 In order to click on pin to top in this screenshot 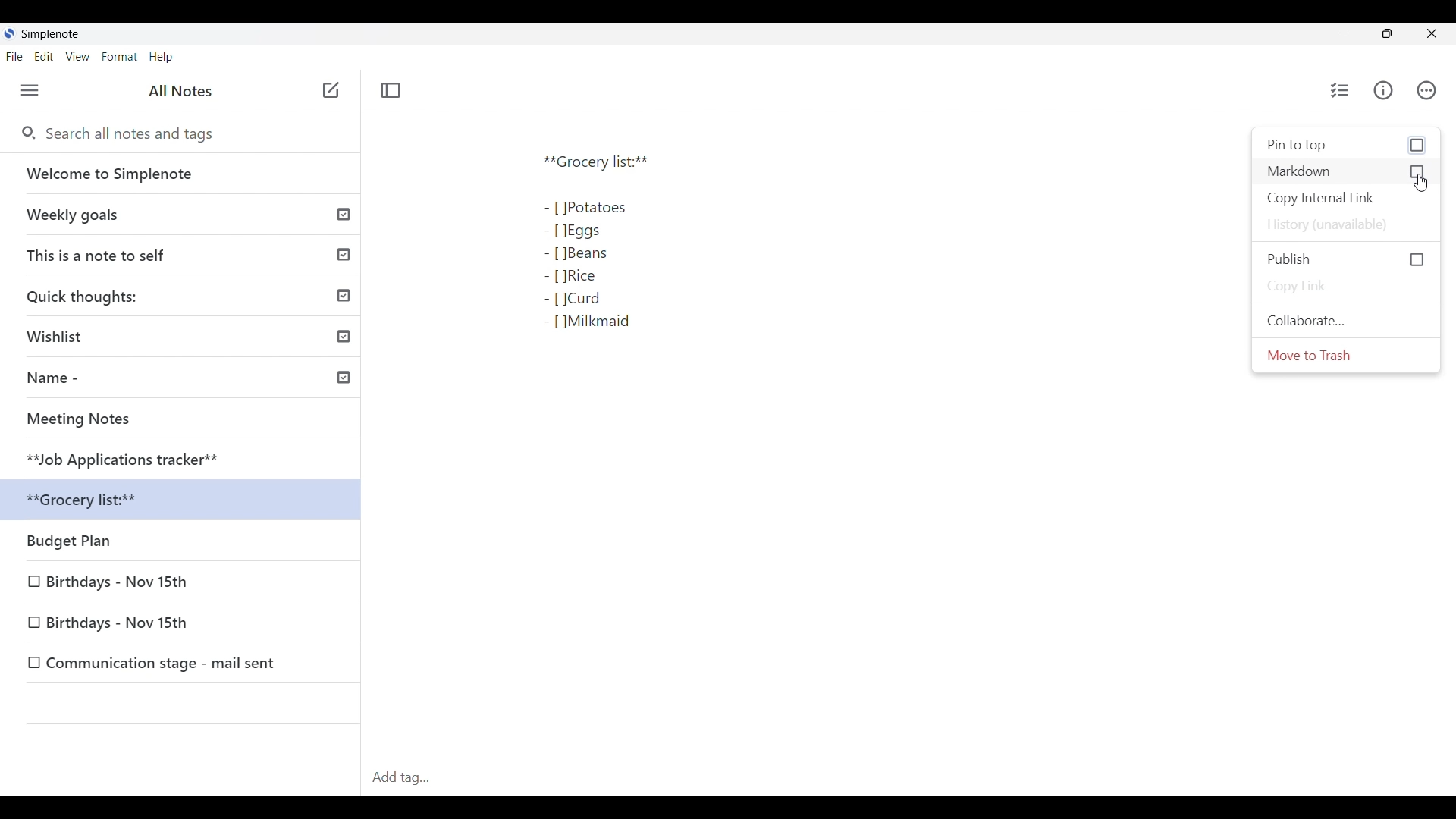, I will do `click(1348, 146)`.